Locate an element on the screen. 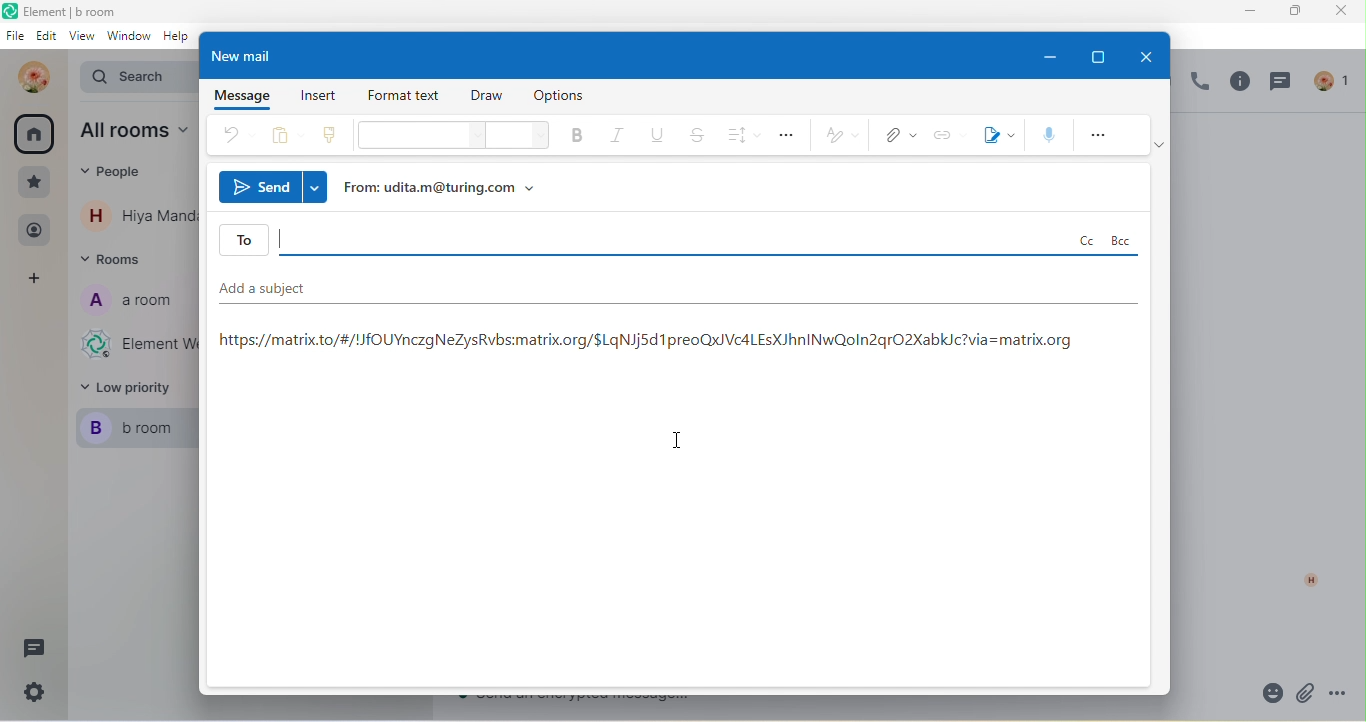 Image resolution: width=1366 pixels, height=722 pixels. spacing is located at coordinates (742, 135).